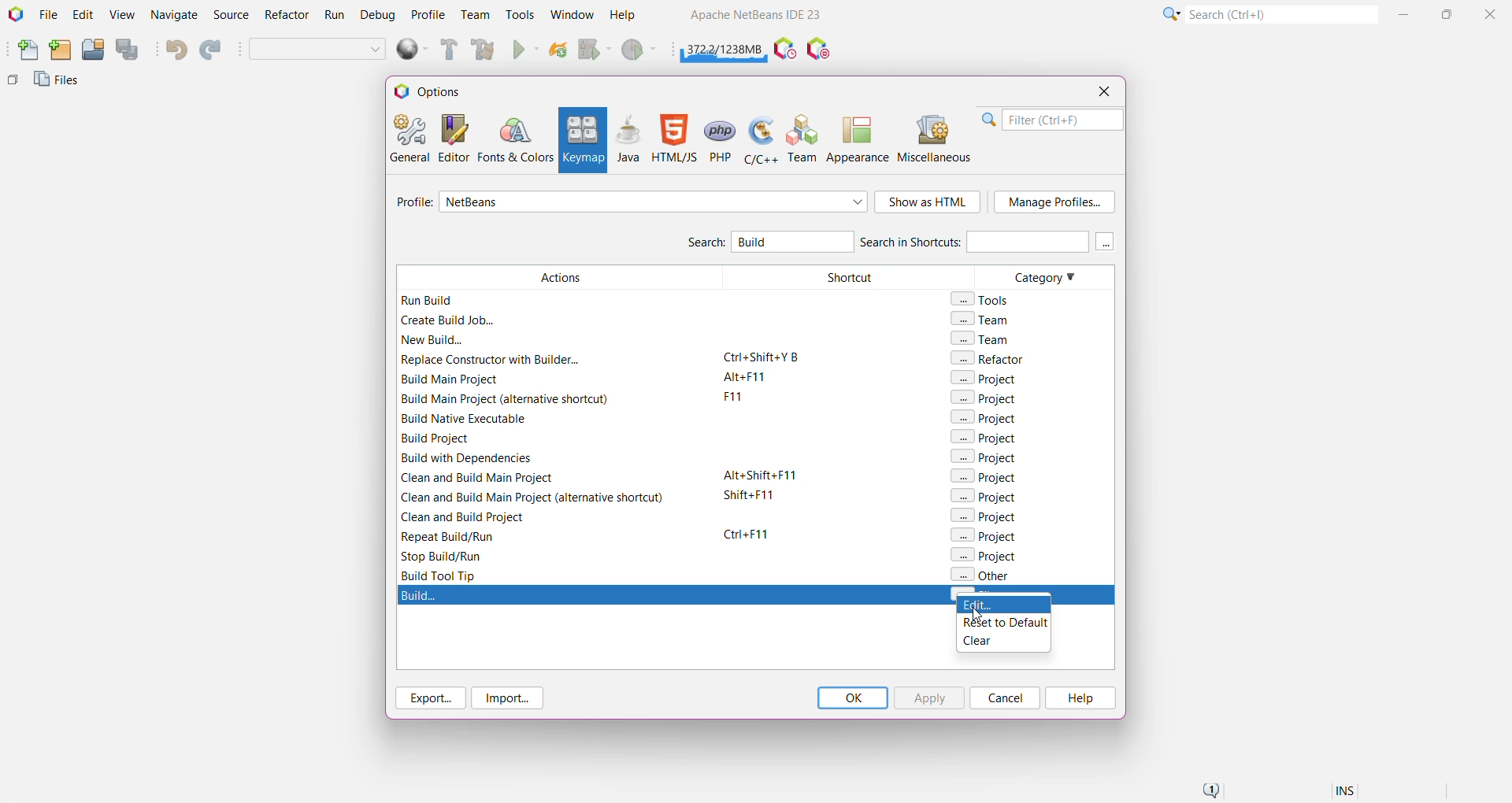 This screenshot has width=1512, height=803. What do you see at coordinates (1103, 91) in the screenshot?
I see `Close` at bounding box center [1103, 91].